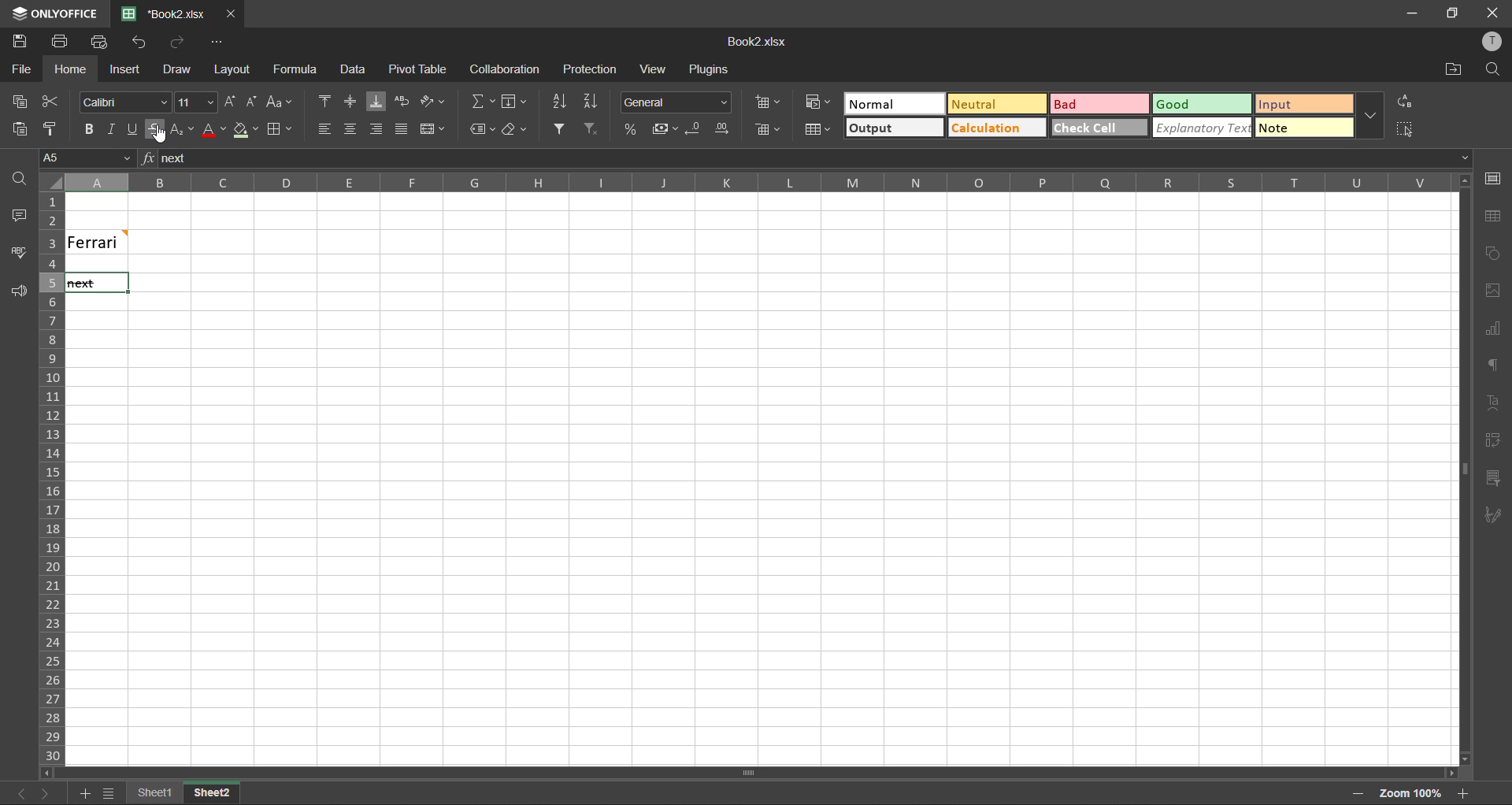 The image size is (1512, 805). Describe the element at coordinates (505, 72) in the screenshot. I see `collaboration` at that location.